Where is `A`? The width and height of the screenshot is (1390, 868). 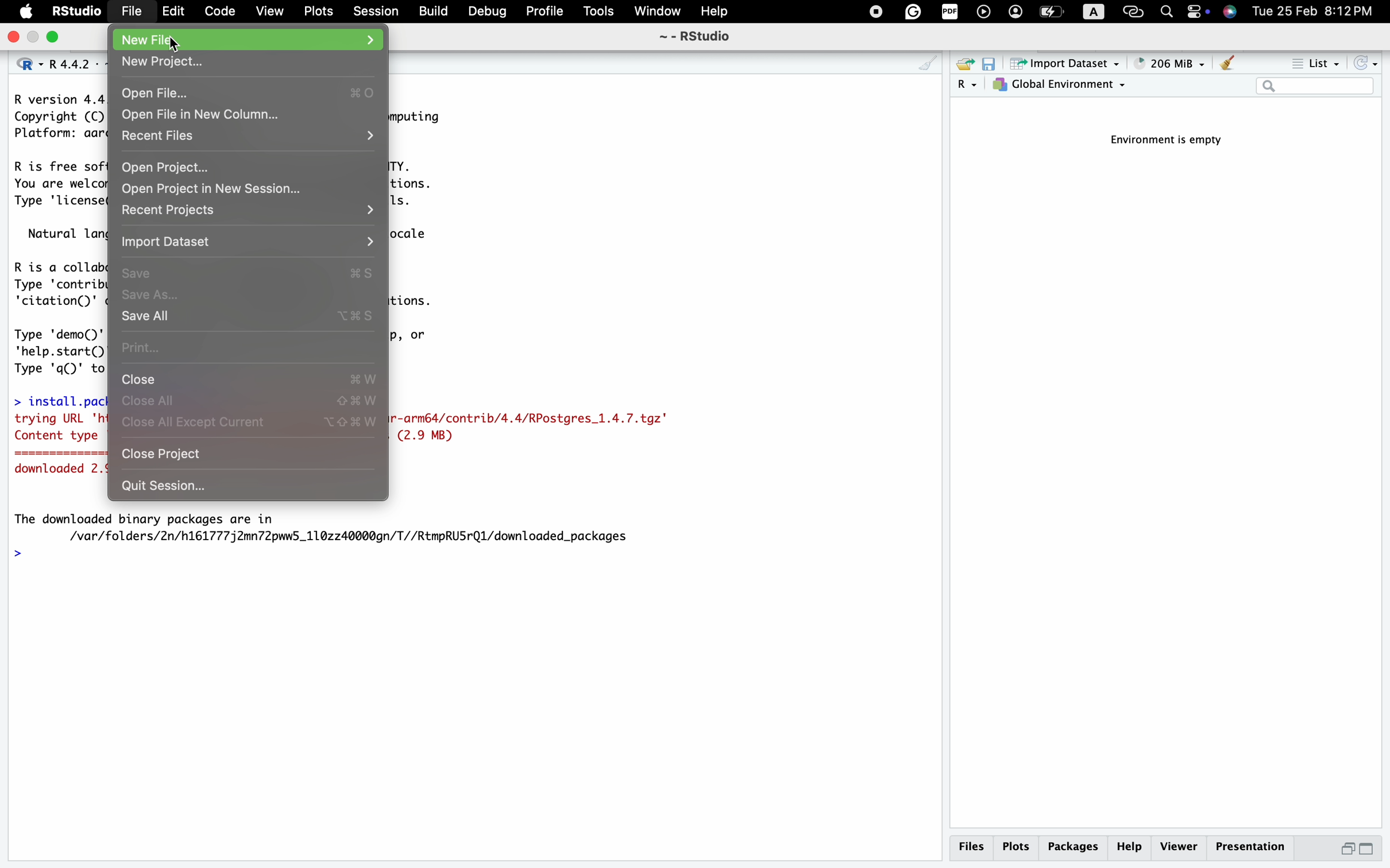
A is located at coordinates (1095, 12).